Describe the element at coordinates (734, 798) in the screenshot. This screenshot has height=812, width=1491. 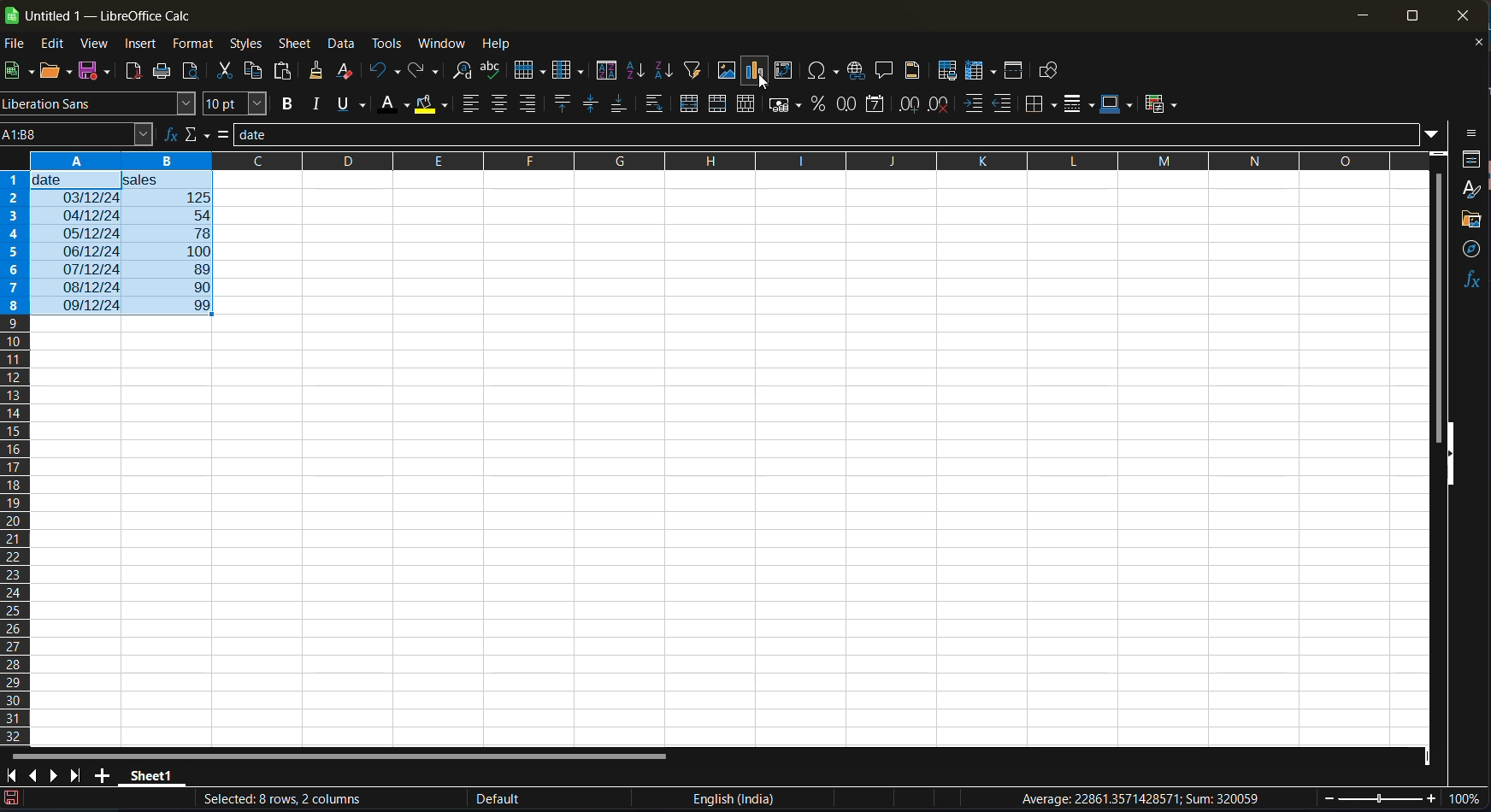
I see `text language` at that location.